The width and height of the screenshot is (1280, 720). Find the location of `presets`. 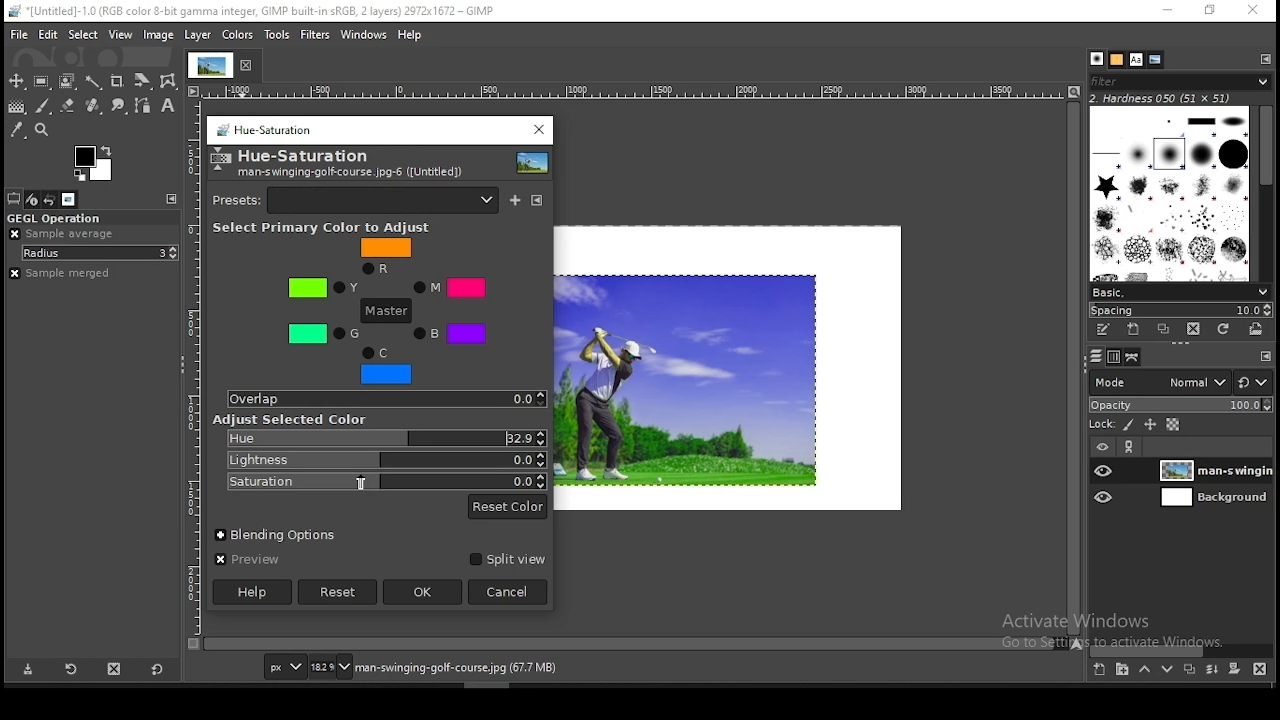

presets is located at coordinates (355, 200).